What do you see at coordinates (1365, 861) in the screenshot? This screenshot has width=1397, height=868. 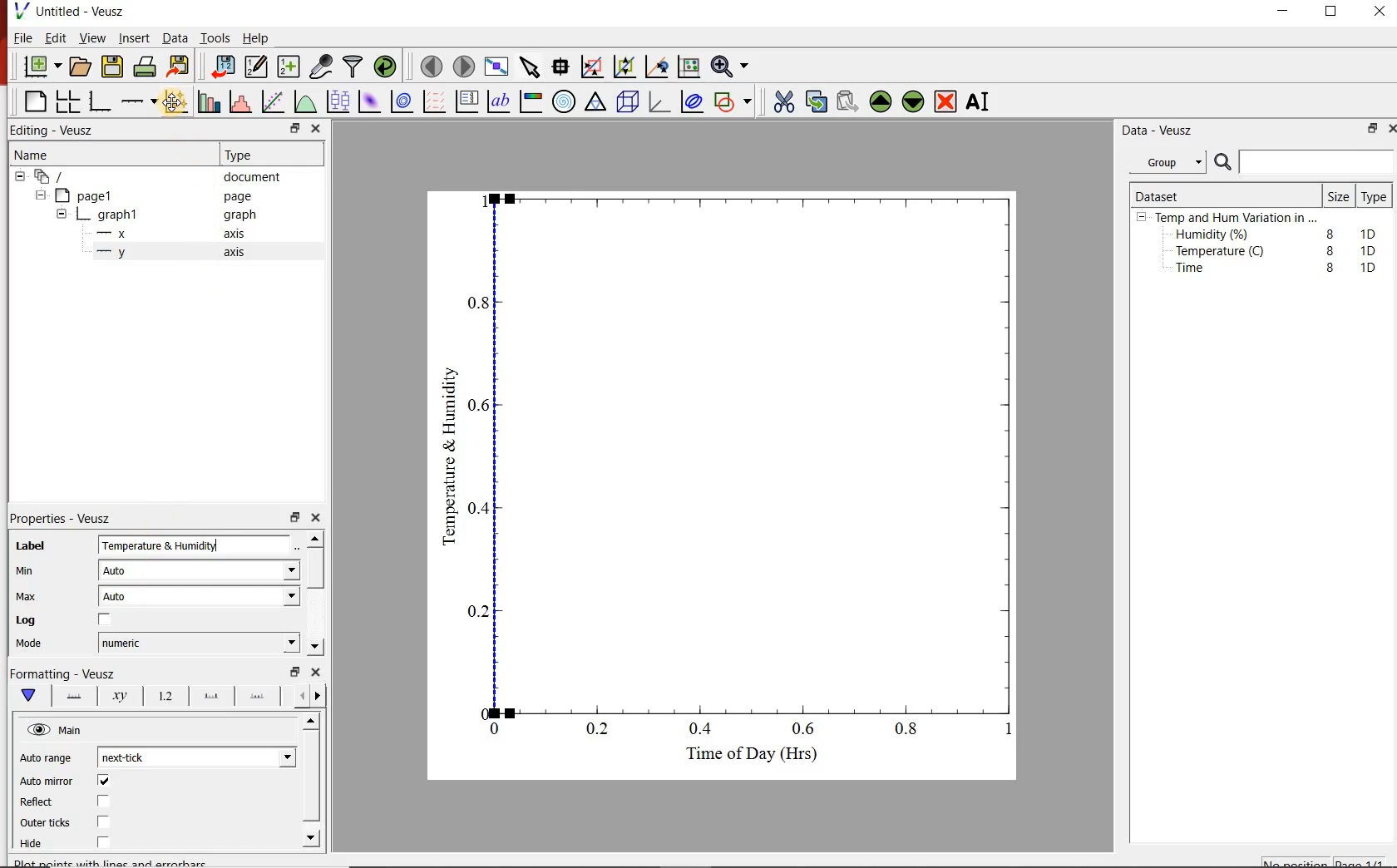 I see `page1/1` at bounding box center [1365, 861].